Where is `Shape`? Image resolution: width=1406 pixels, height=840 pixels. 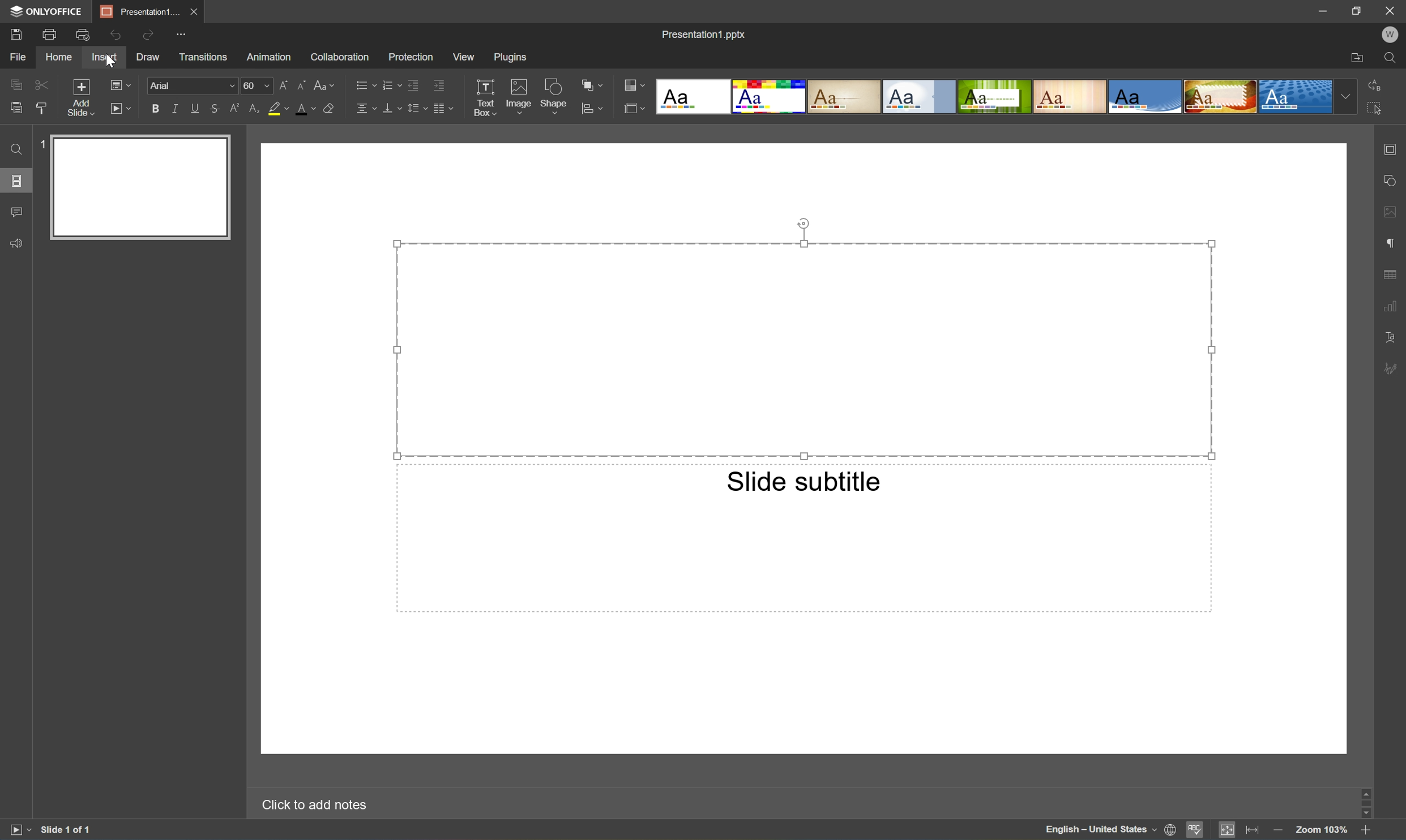
Shape is located at coordinates (554, 95).